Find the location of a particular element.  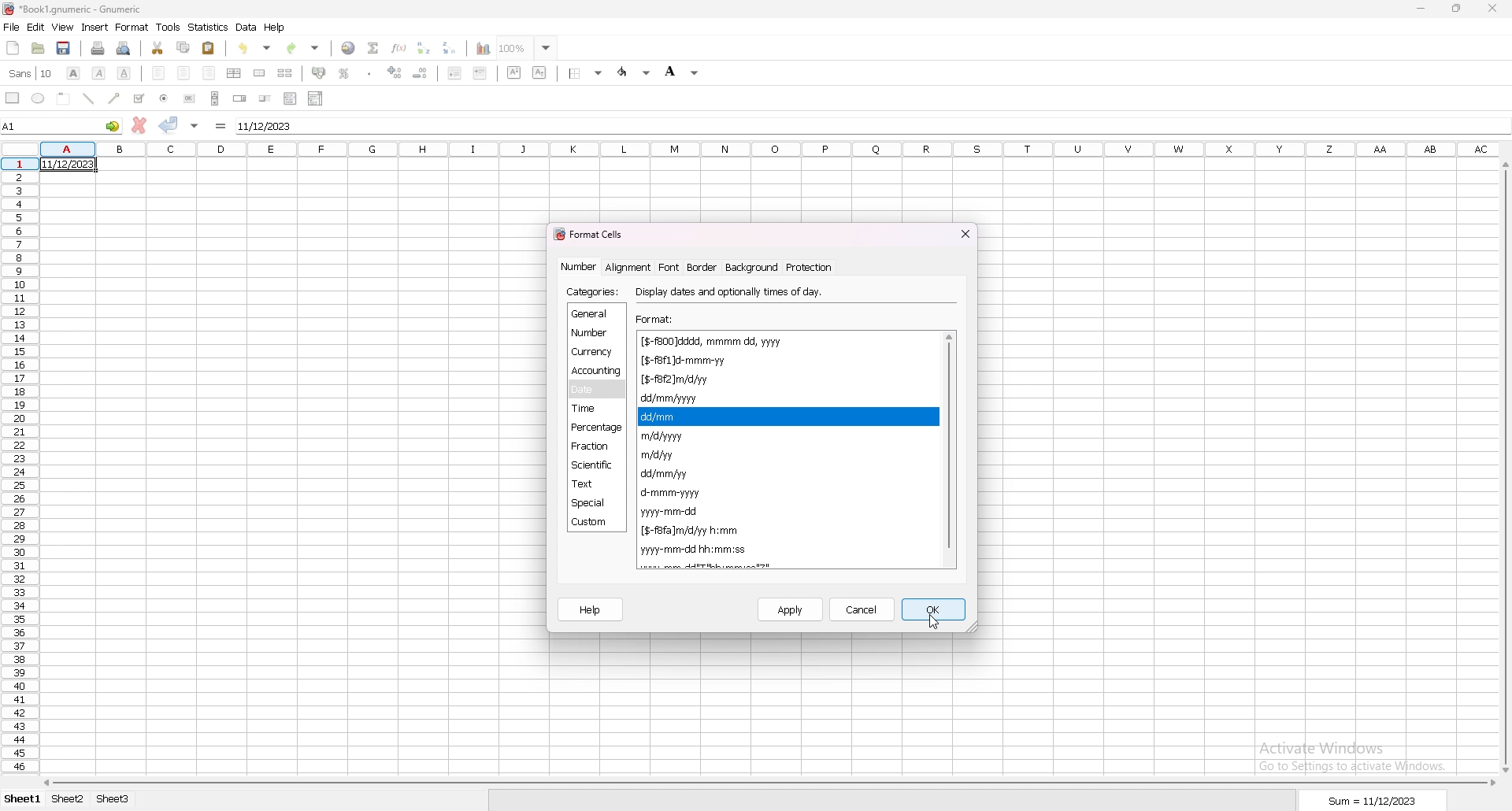

paste is located at coordinates (207, 49).